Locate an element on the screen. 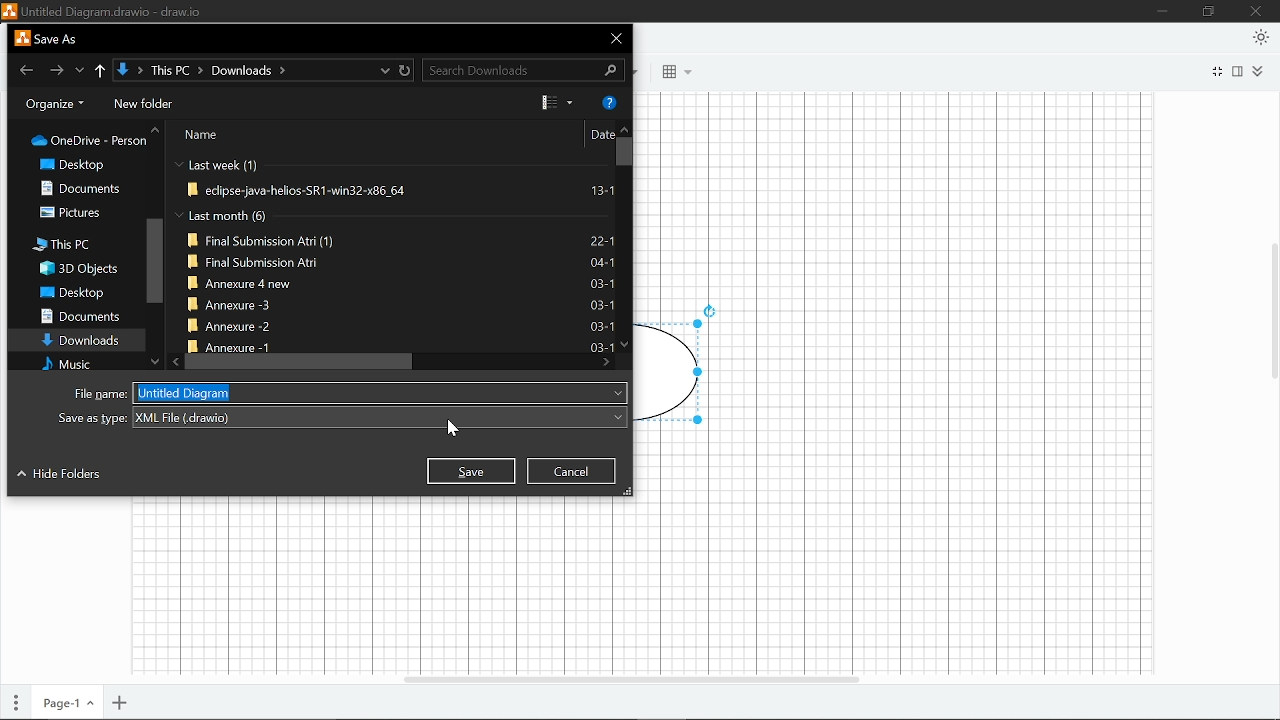 The image size is (1280, 720). Current folder is located at coordinates (124, 70).